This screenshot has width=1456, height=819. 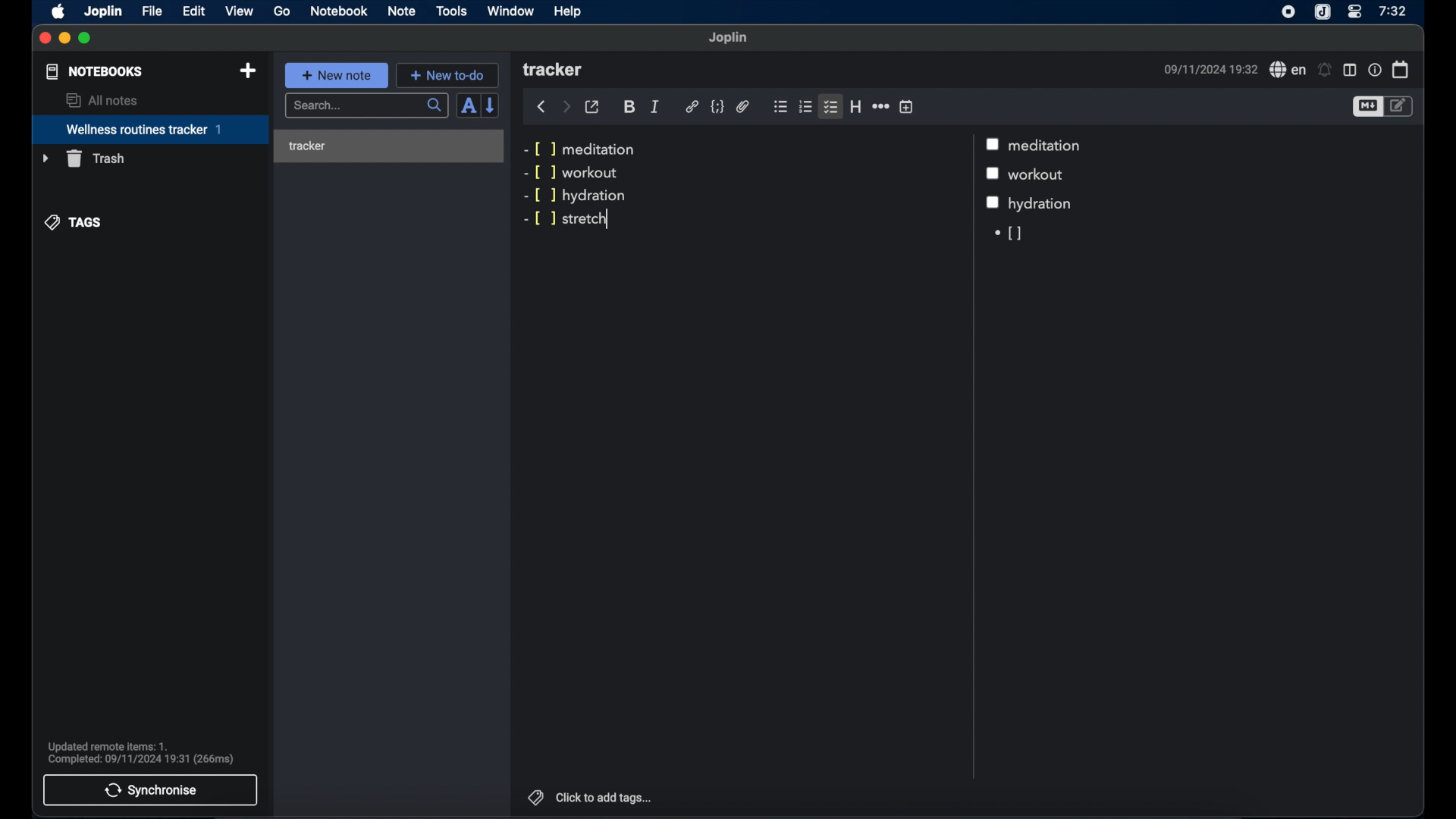 What do you see at coordinates (571, 174) in the screenshot?
I see `-[ ] workout` at bounding box center [571, 174].